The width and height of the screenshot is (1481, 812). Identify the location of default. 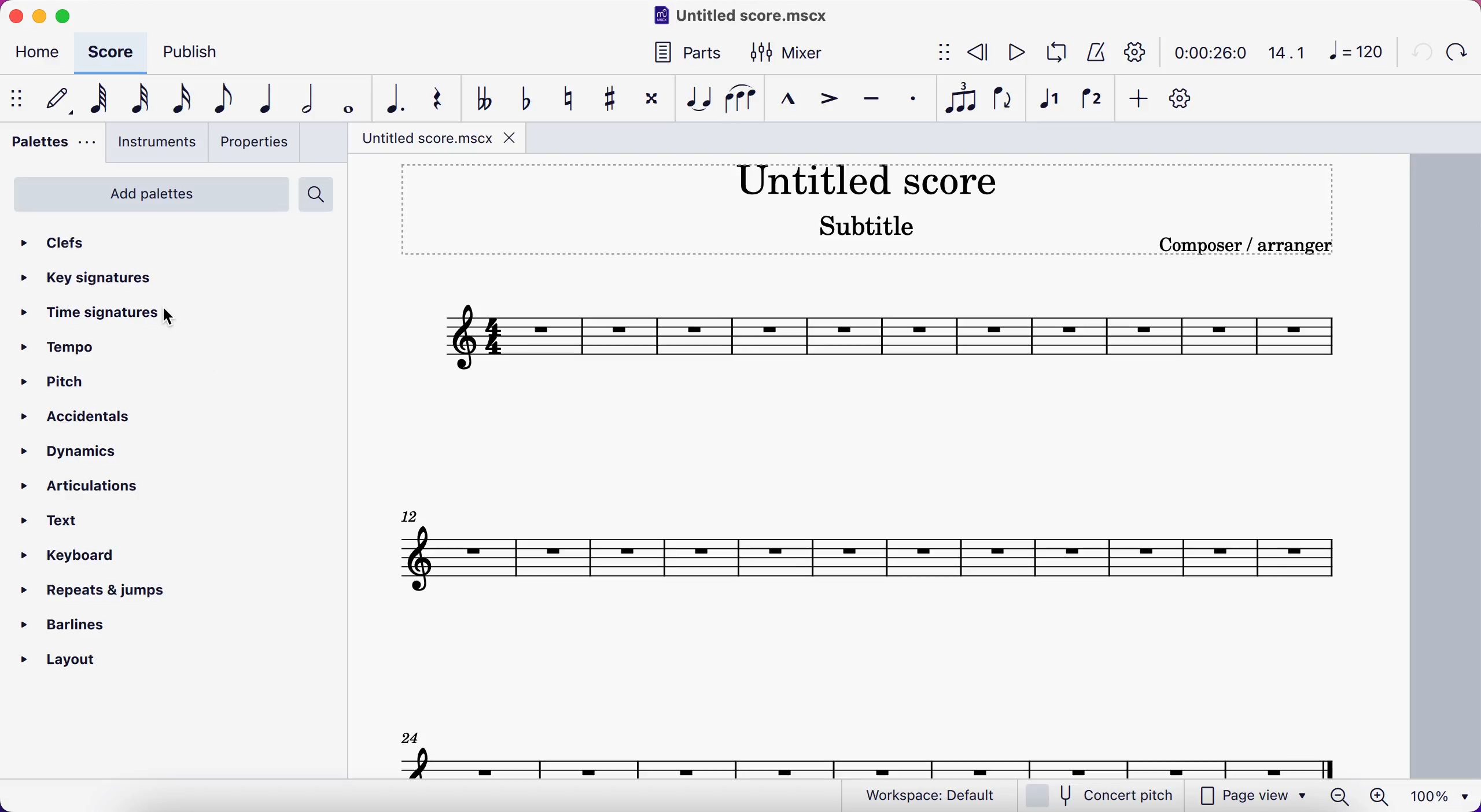
(54, 99).